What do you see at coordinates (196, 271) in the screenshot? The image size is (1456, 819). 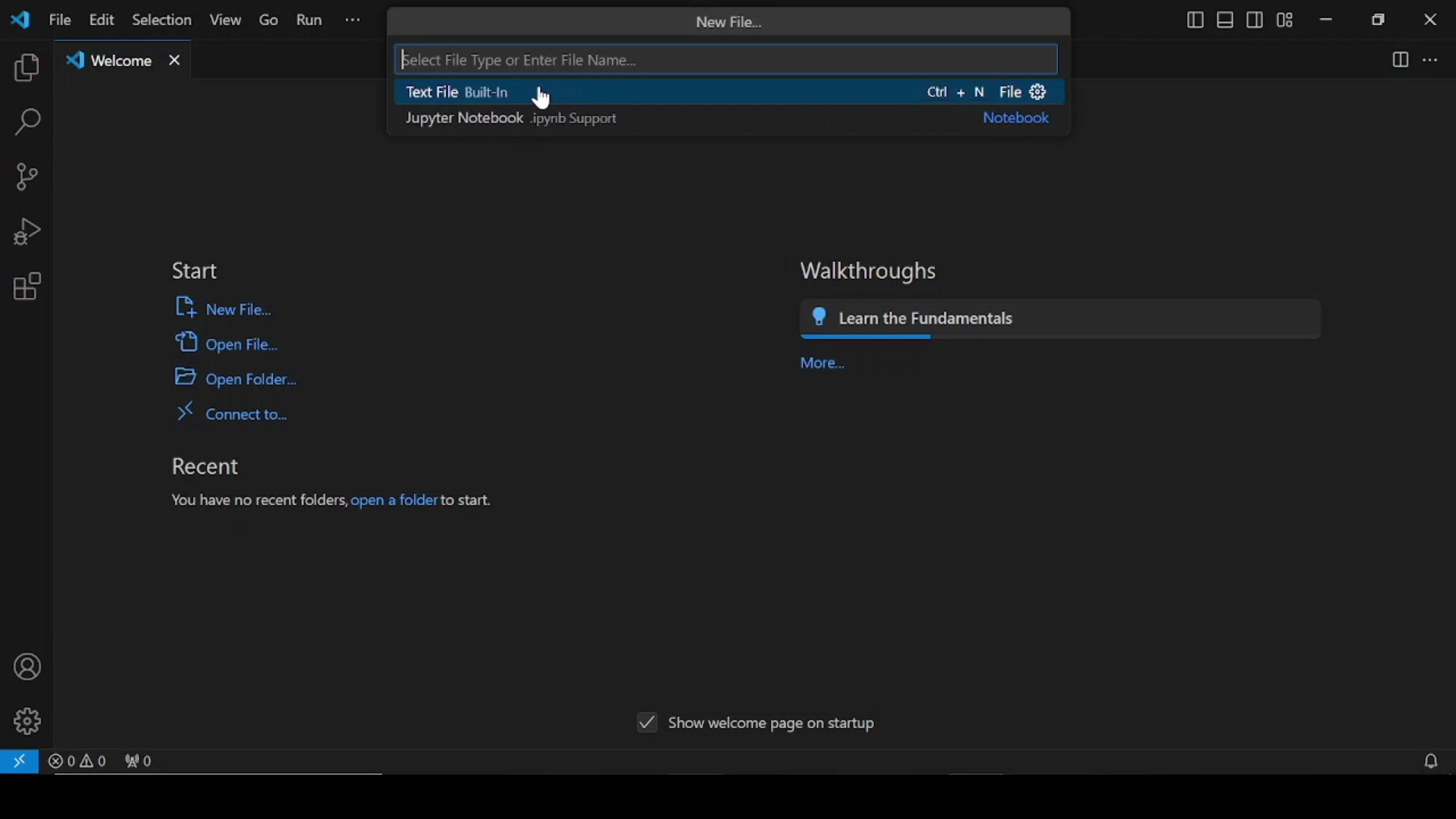 I see `start` at bounding box center [196, 271].